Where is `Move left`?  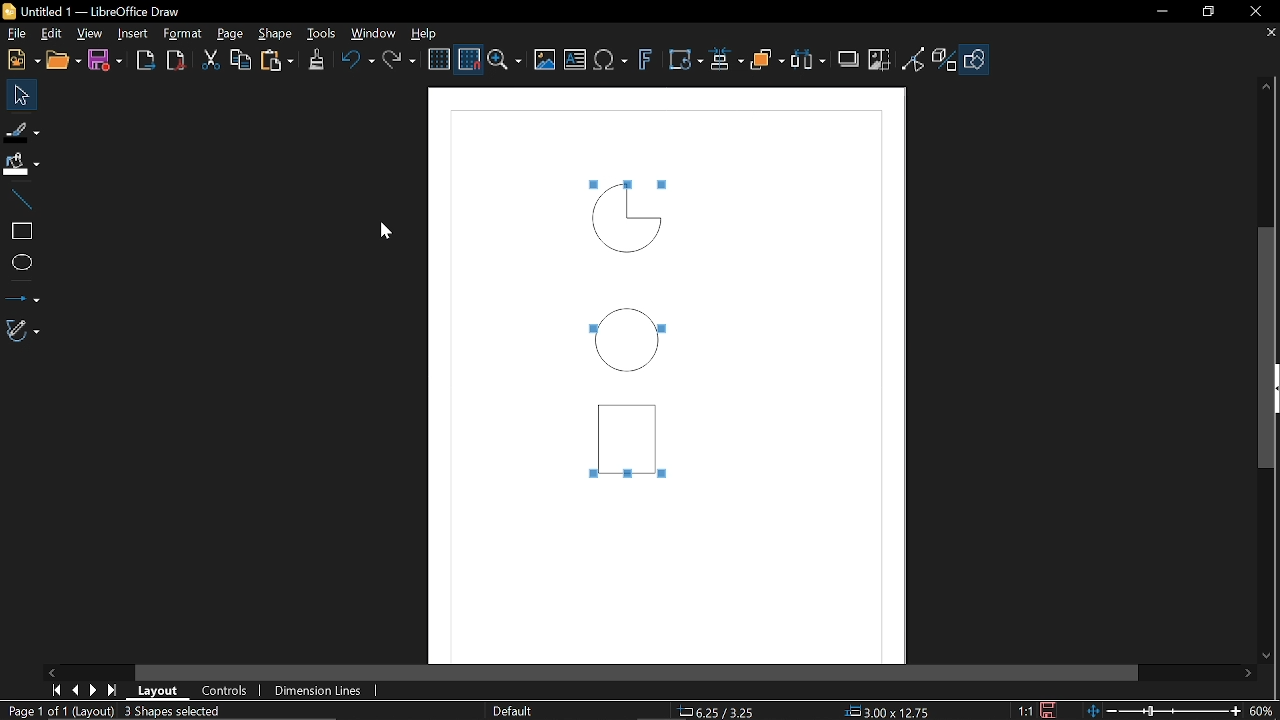 Move left is located at coordinates (51, 671).